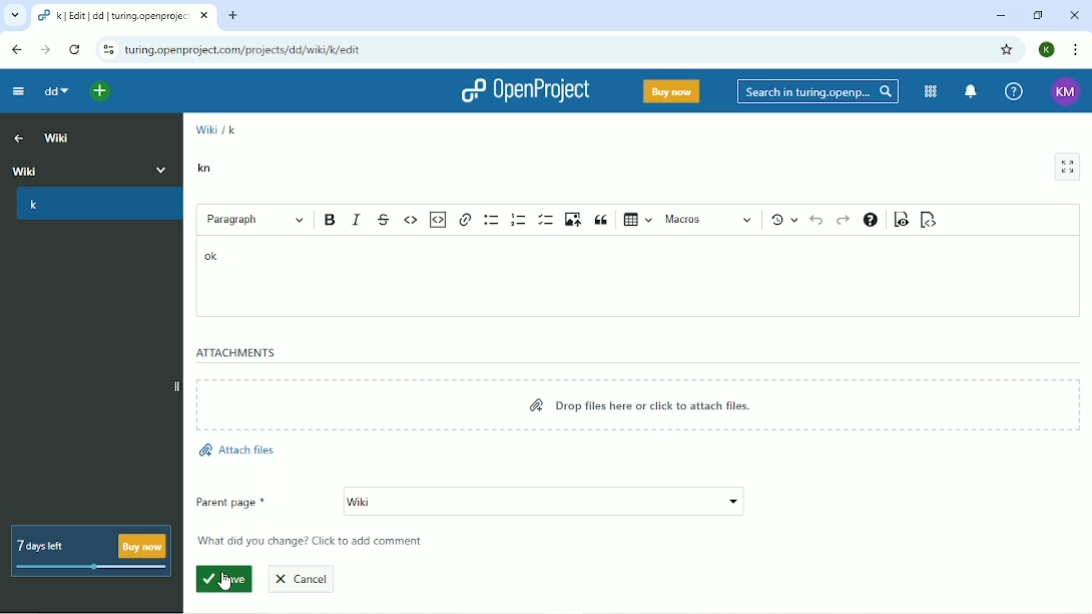  What do you see at coordinates (411, 218) in the screenshot?
I see `Code ` at bounding box center [411, 218].